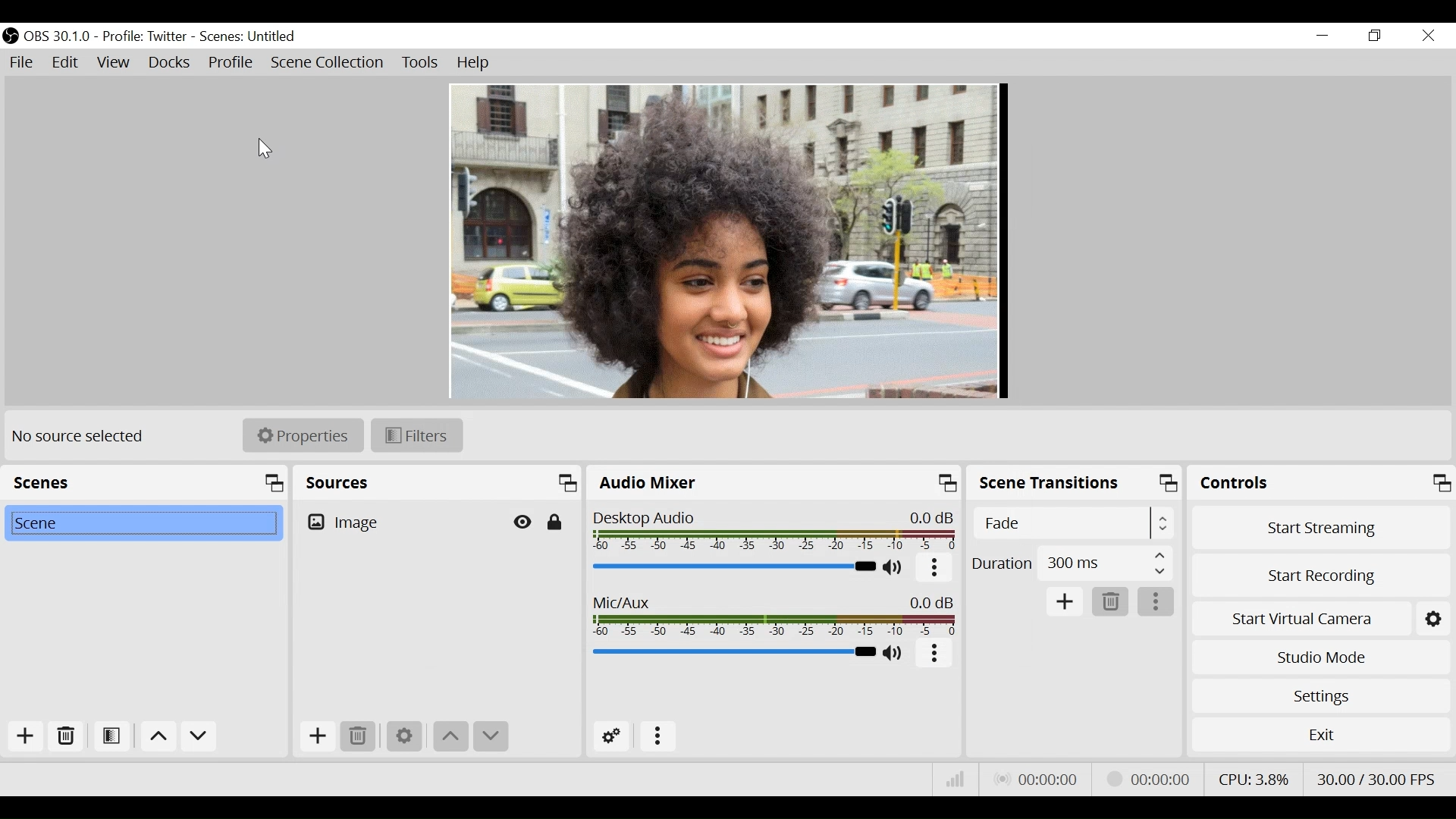  I want to click on Image, so click(400, 521).